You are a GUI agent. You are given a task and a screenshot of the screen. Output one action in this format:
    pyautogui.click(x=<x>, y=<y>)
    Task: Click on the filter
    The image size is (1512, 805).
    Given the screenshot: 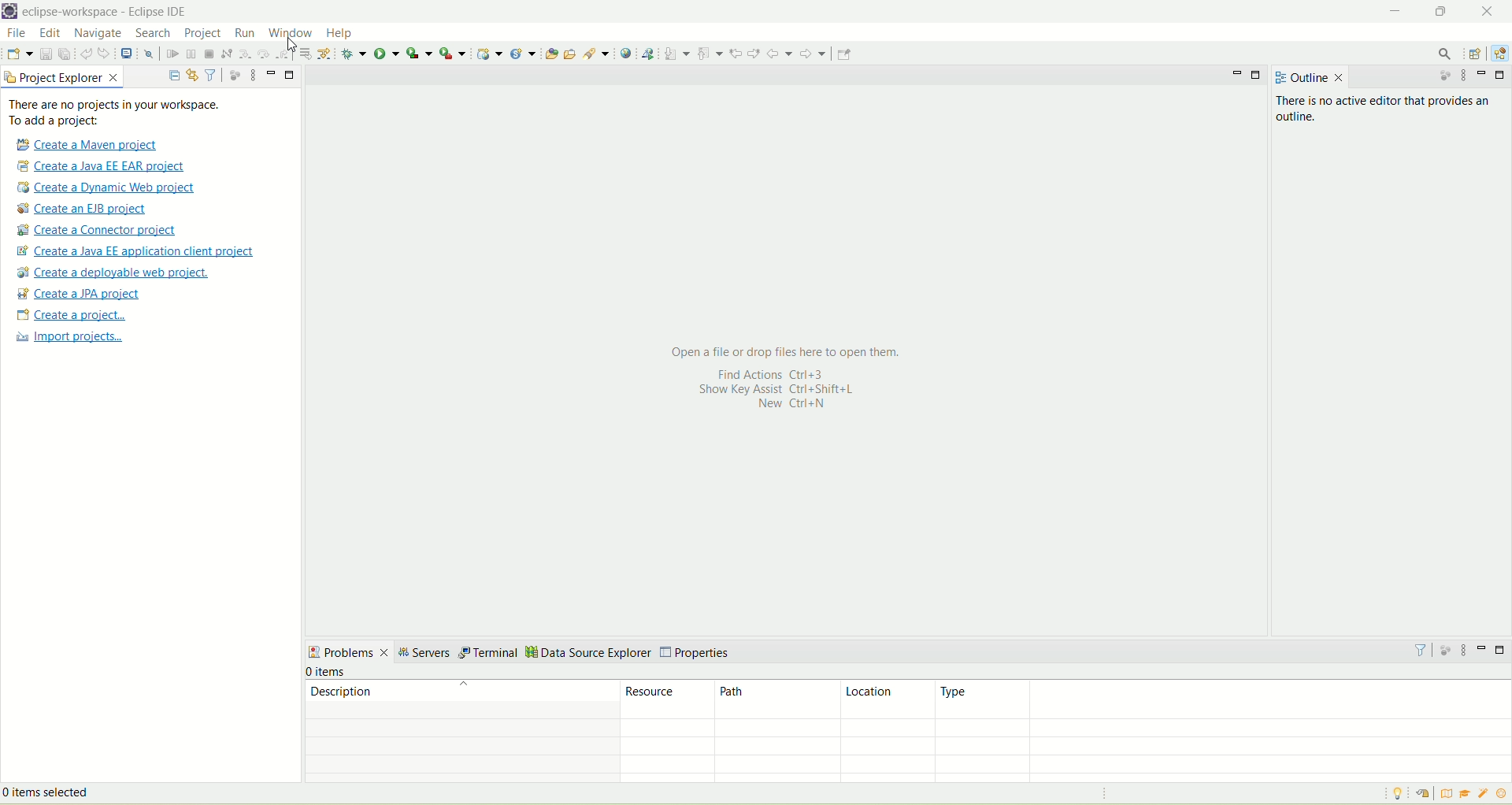 What is the action you would take?
    pyautogui.click(x=1421, y=649)
    